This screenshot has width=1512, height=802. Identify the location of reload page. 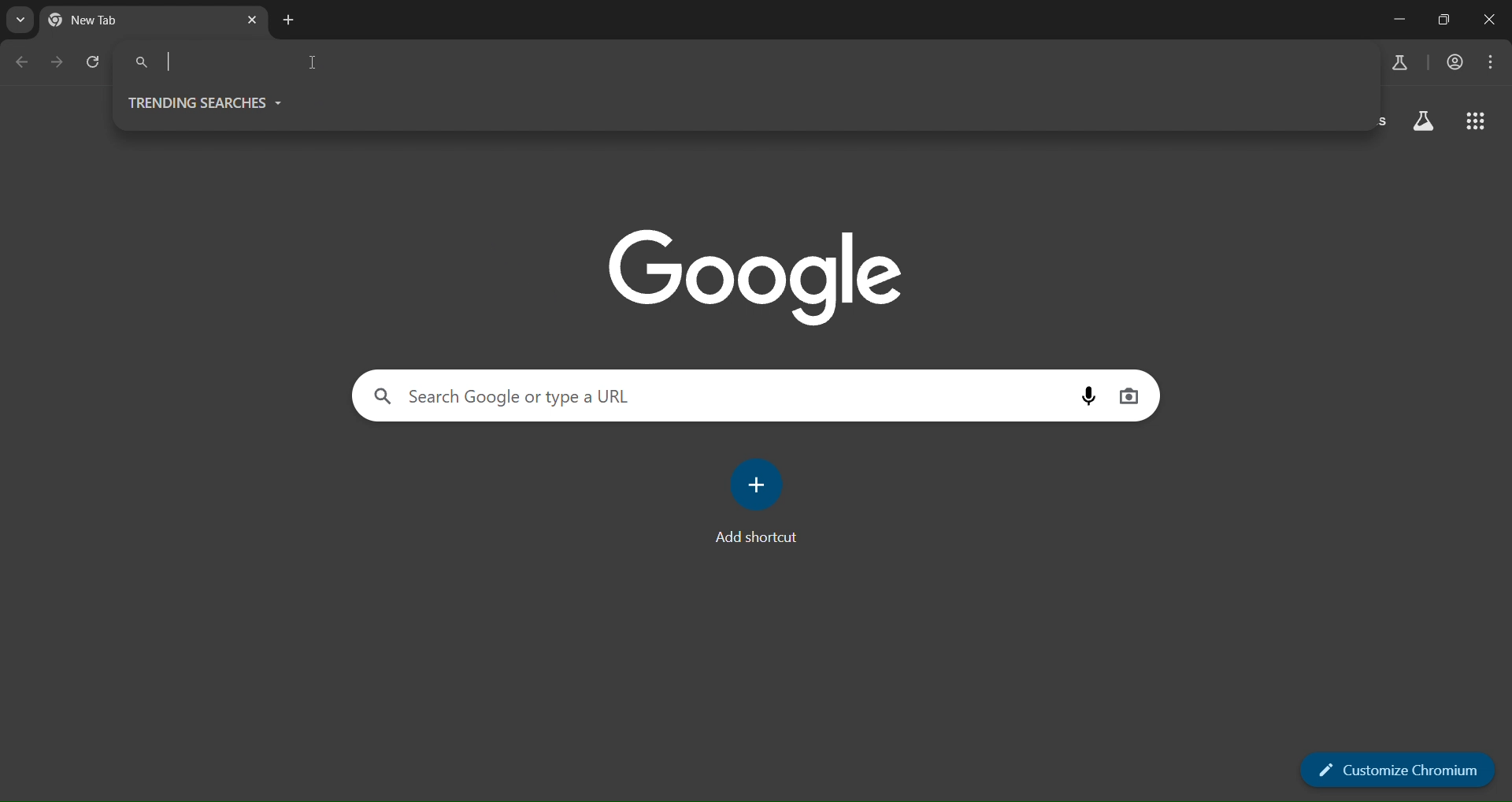
(95, 64).